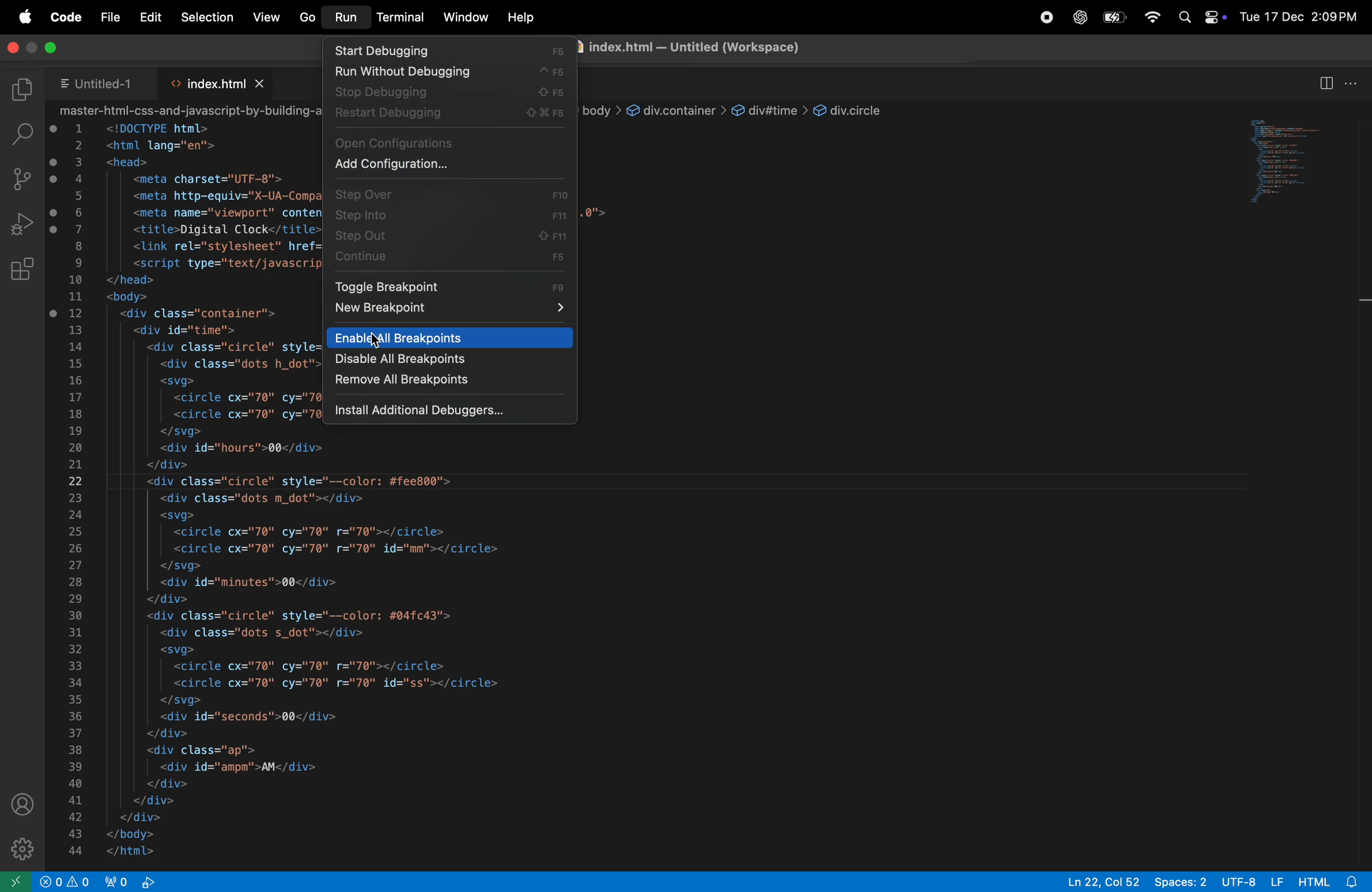 The image size is (1372, 892). Describe the element at coordinates (21, 133) in the screenshot. I see `search` at that location.